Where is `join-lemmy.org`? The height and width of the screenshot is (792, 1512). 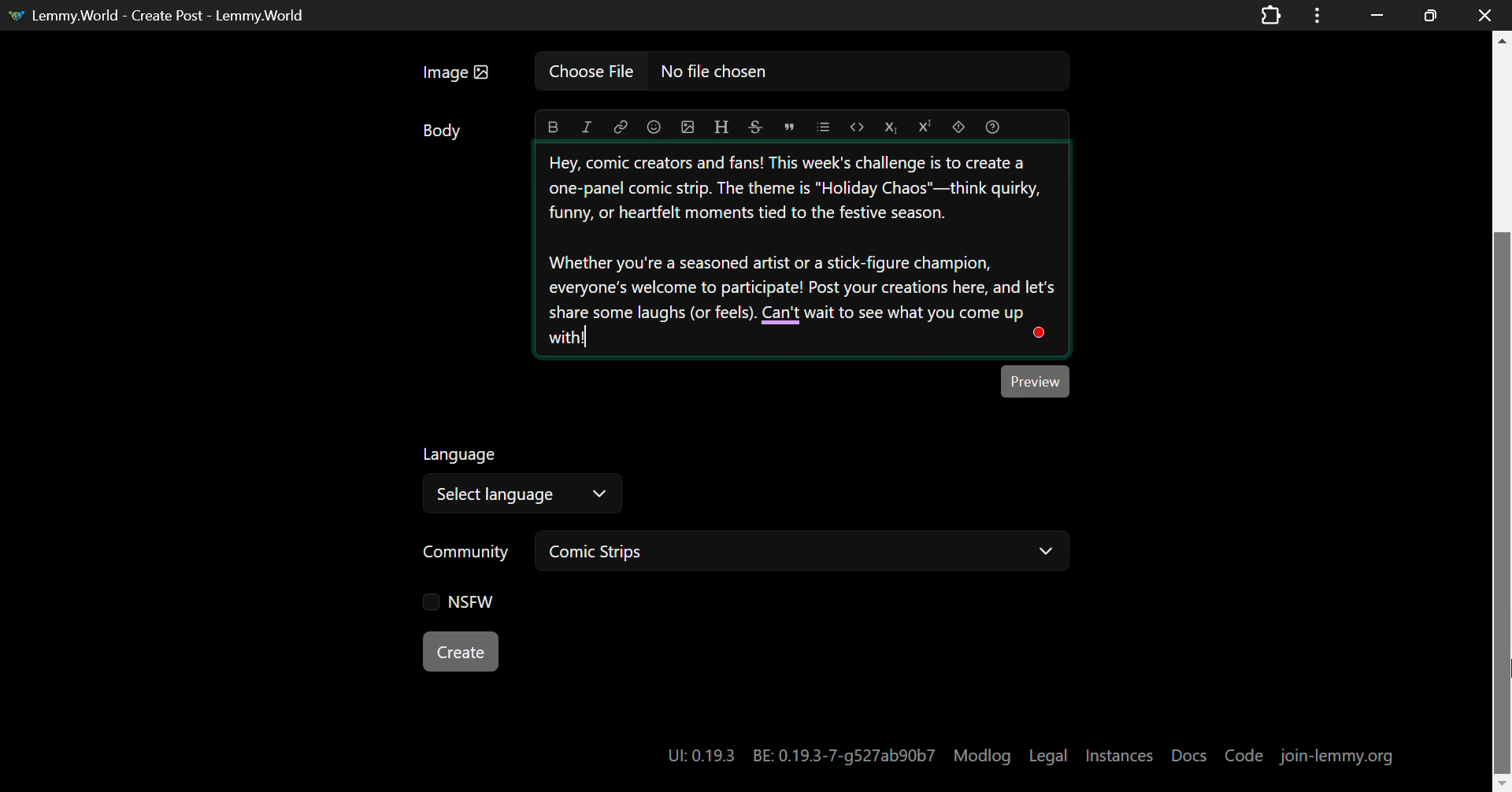 join-lemmy.org is located at coordinates (1339, 755).